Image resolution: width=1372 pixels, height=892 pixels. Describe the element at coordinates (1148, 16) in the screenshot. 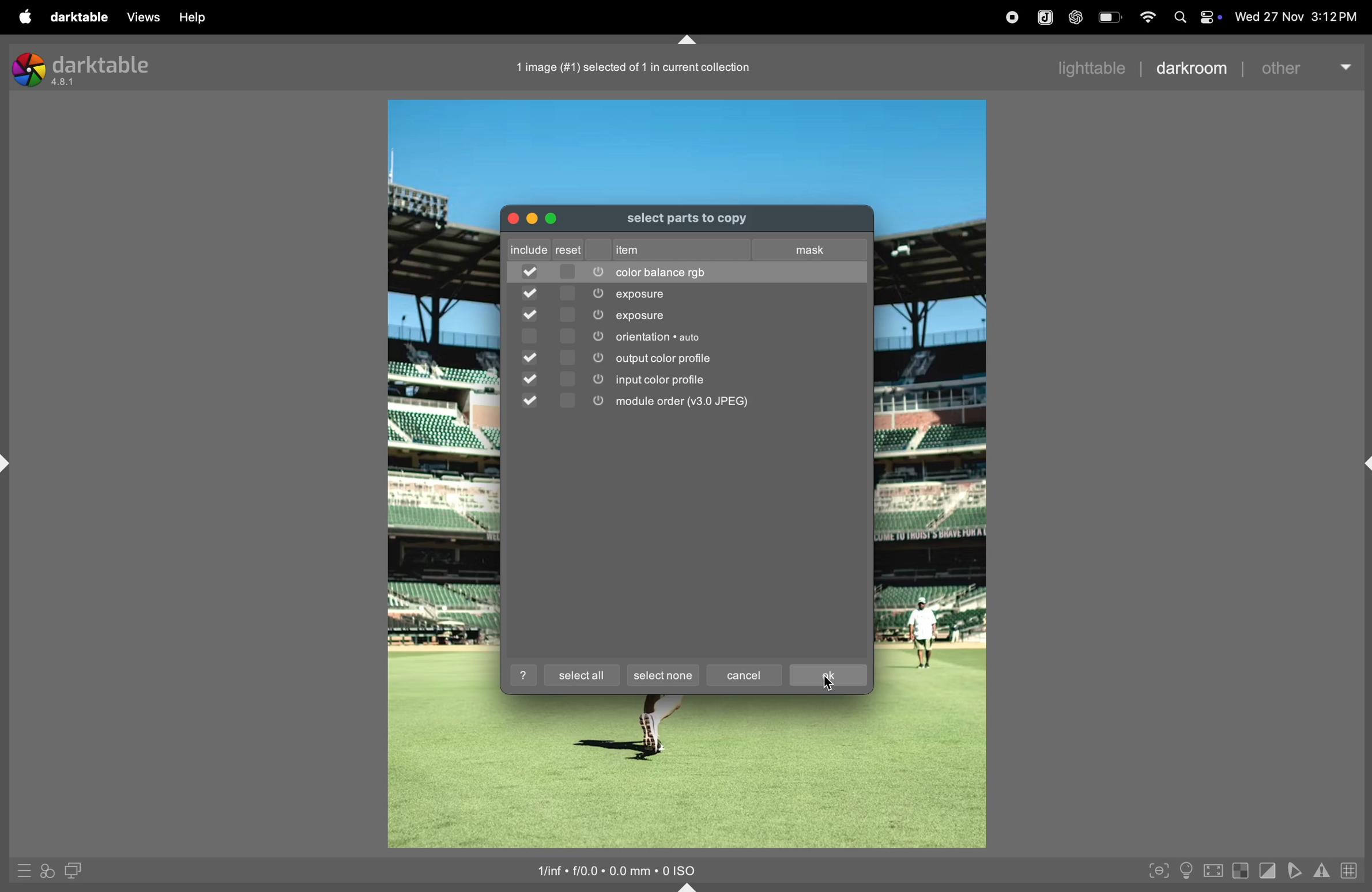

I see `wifi` at that location.